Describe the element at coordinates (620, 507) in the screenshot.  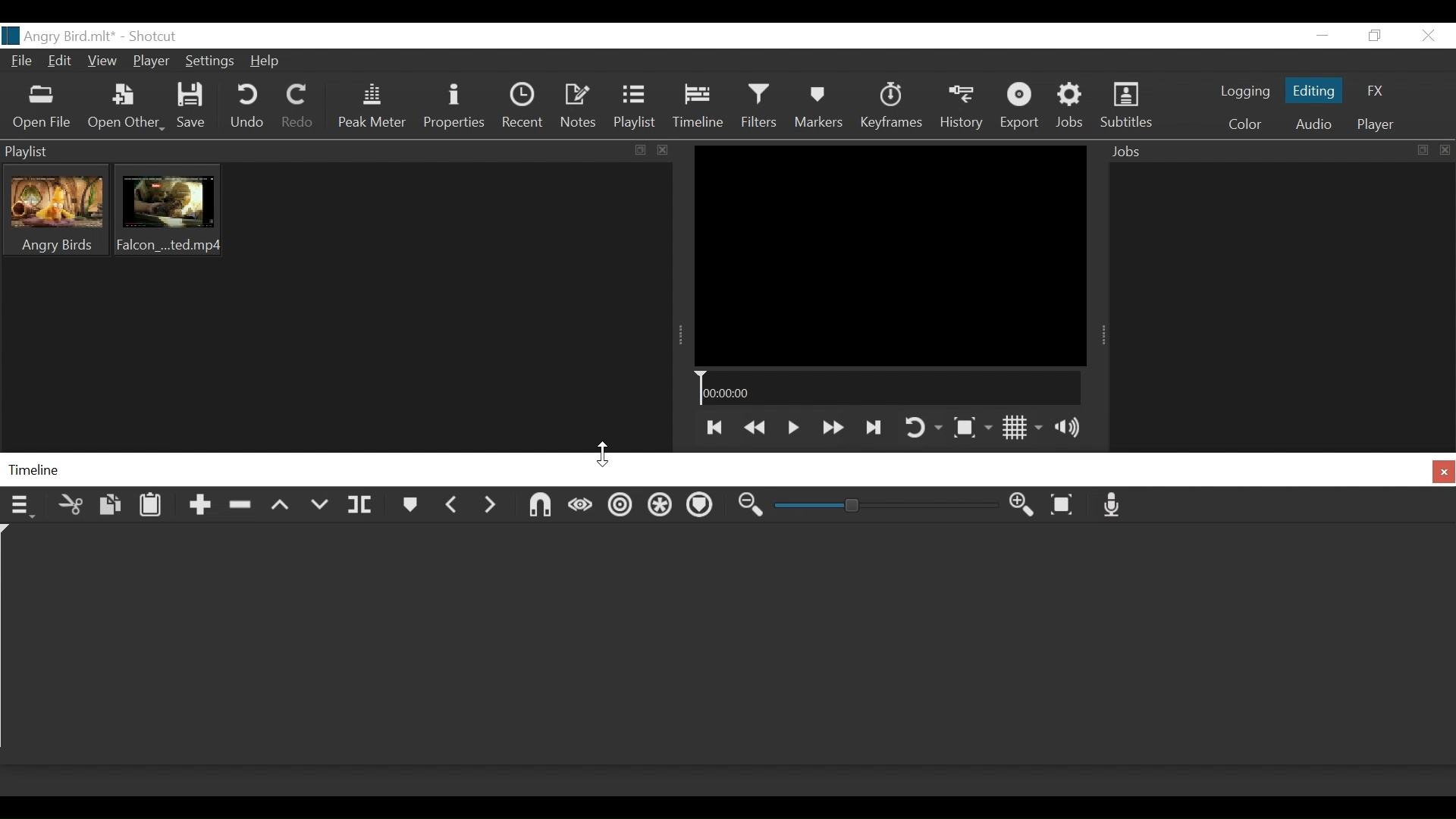
I see `Ripple ` at that location.